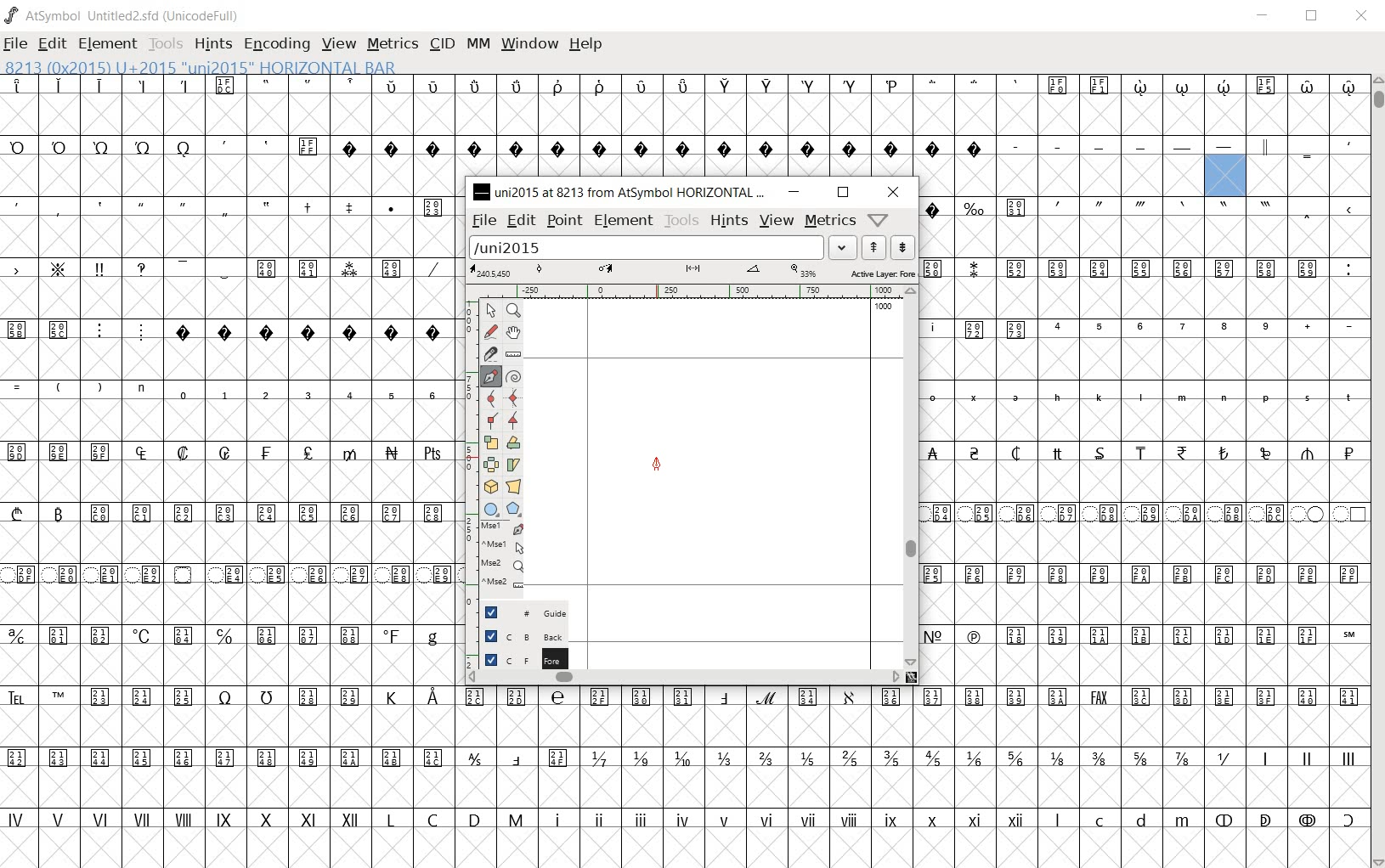 The width and height of the screenshot is (1385, 868). I want to click on point, so click(566, 223).